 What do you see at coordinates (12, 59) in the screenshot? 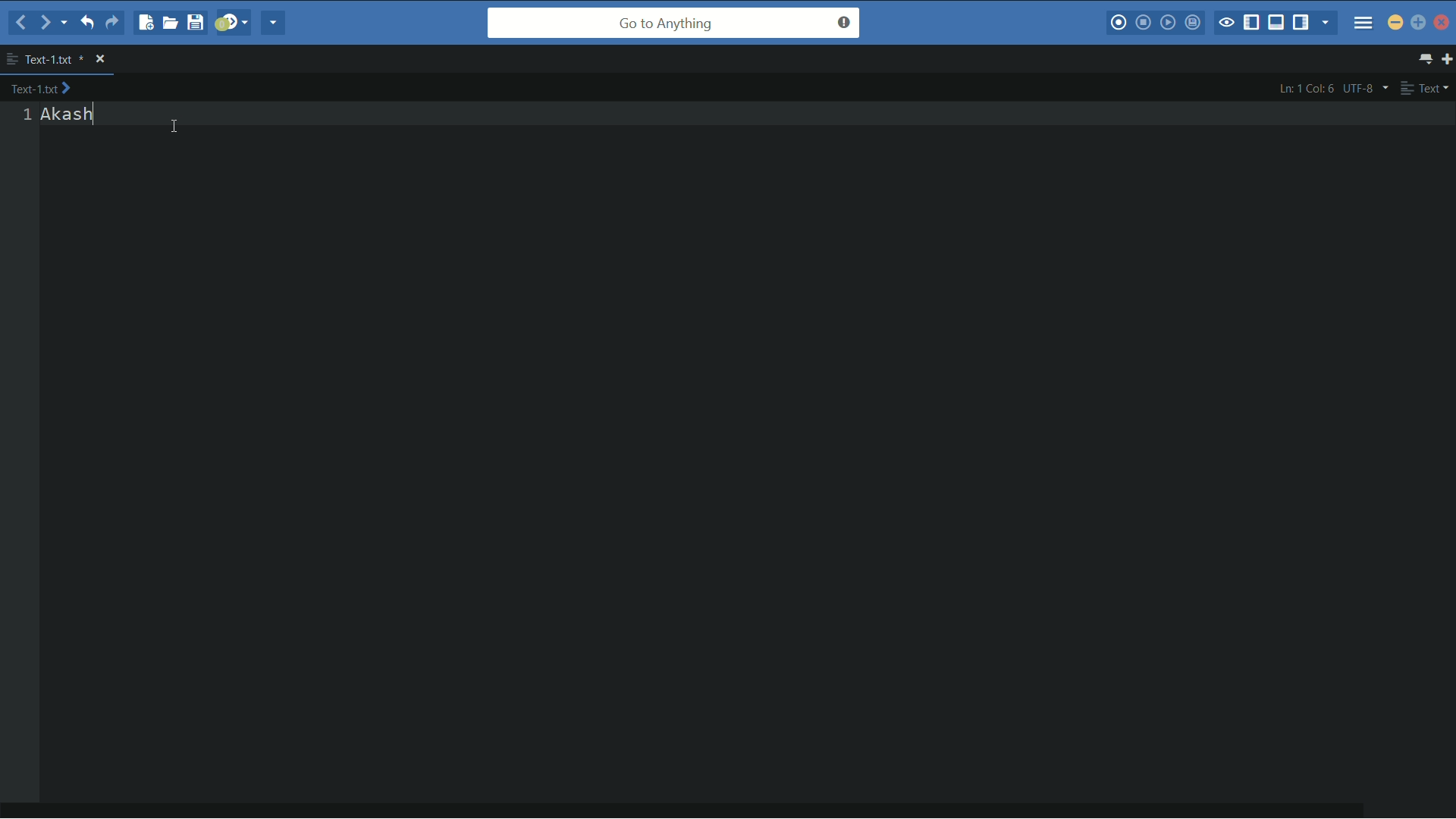
I see `more options` at bounding box center [12, 59].